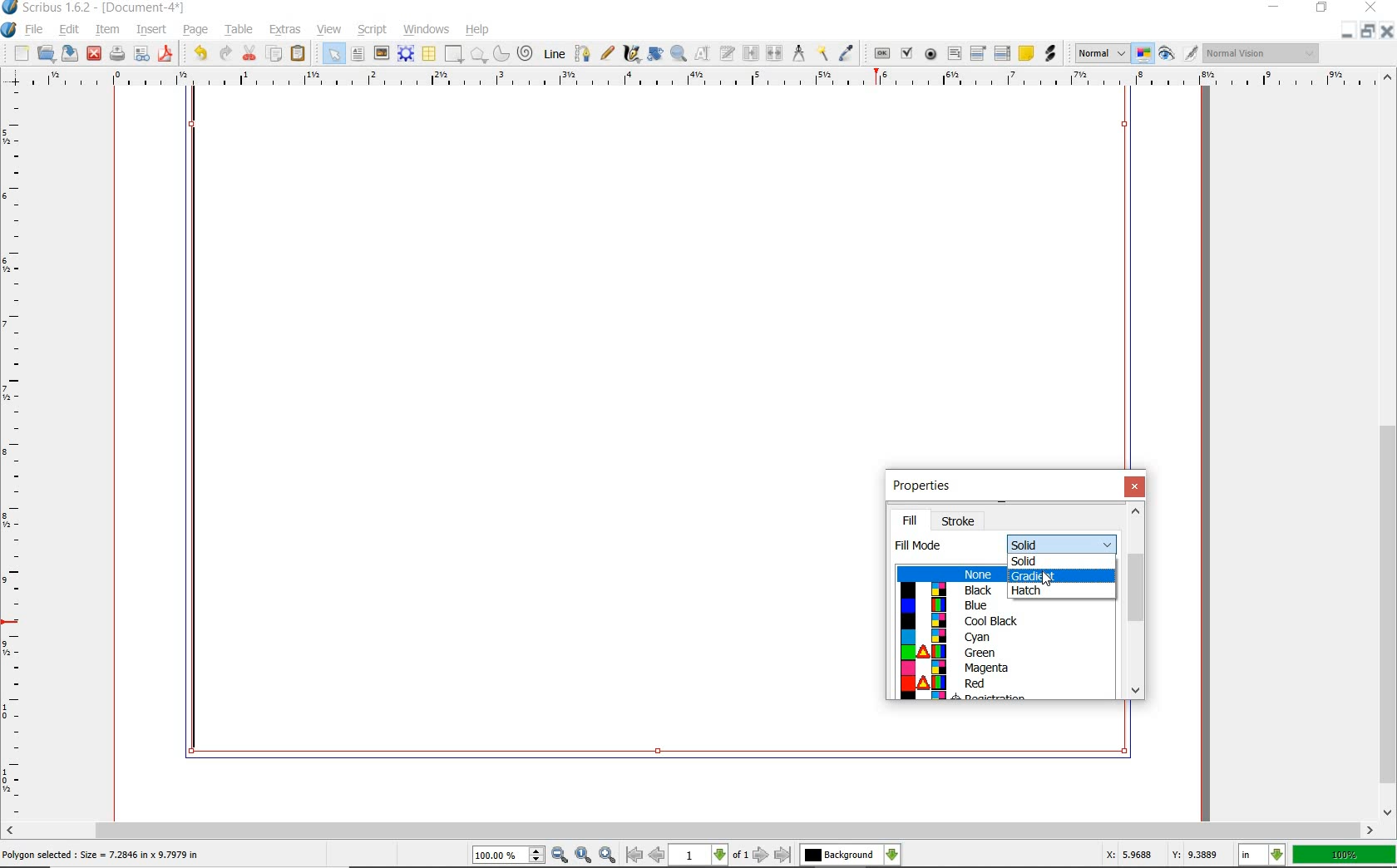  Describe the element at coordinates (953, 589) in the screenshot. I see `Black` at that location.